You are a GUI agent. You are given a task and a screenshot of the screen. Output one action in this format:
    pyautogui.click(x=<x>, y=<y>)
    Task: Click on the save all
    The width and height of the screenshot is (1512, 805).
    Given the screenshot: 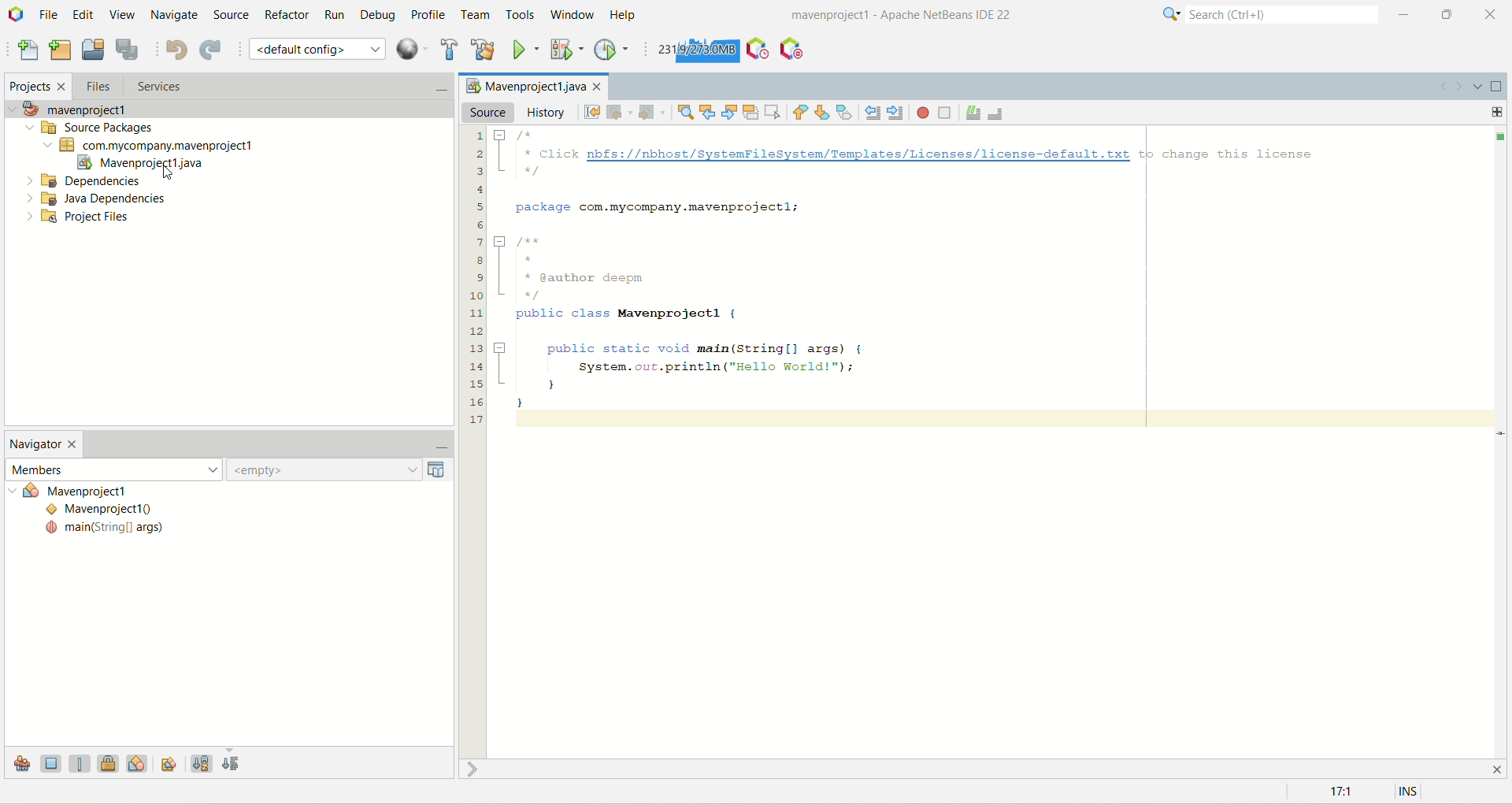 What is the action you would take?
    pyautogui.click(x=127, y=50)
    